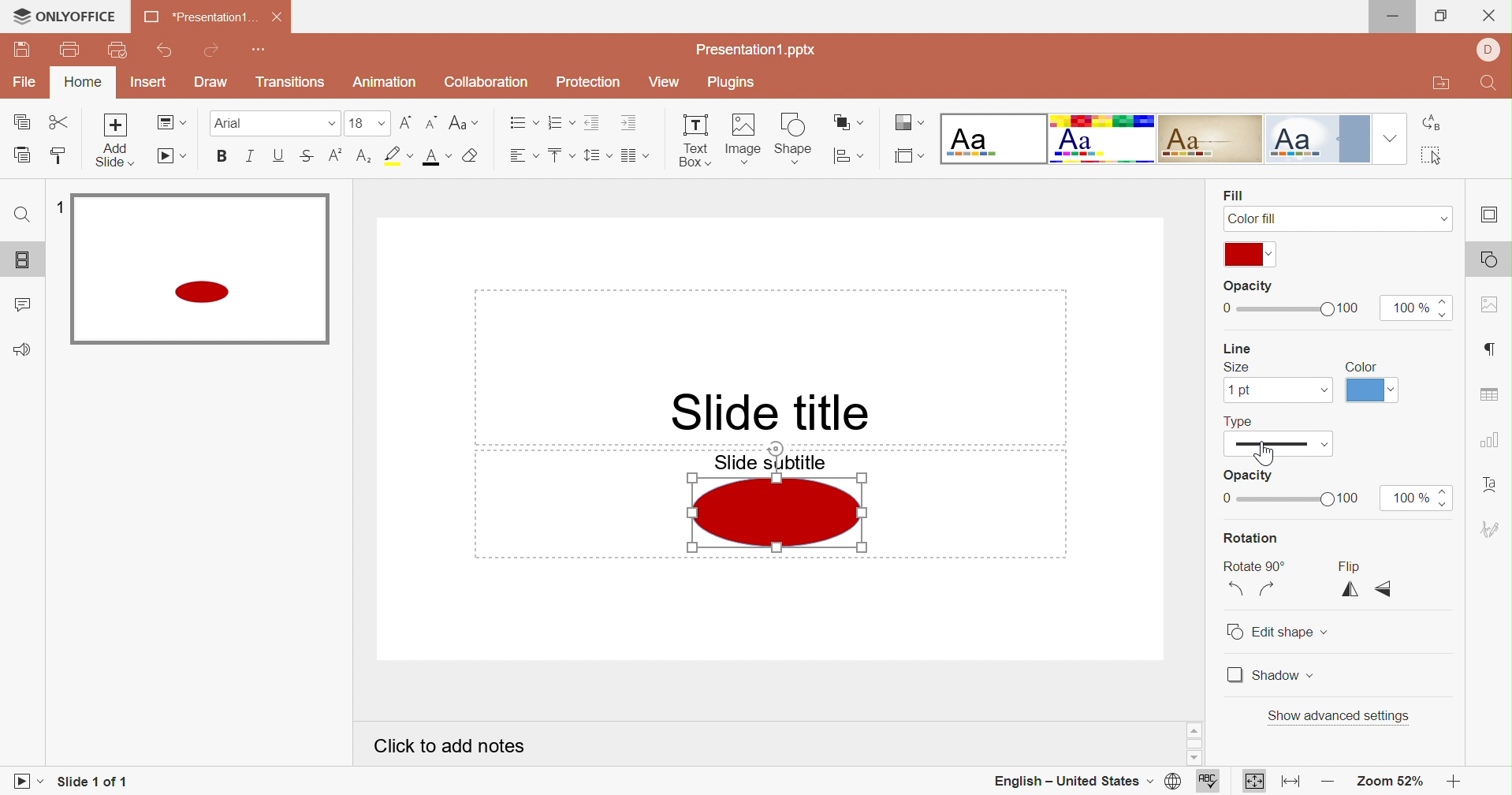 Image resolution: width=1512 pixels, height=795 pixels. I want to click on Horizontal align, so click(521, 156).